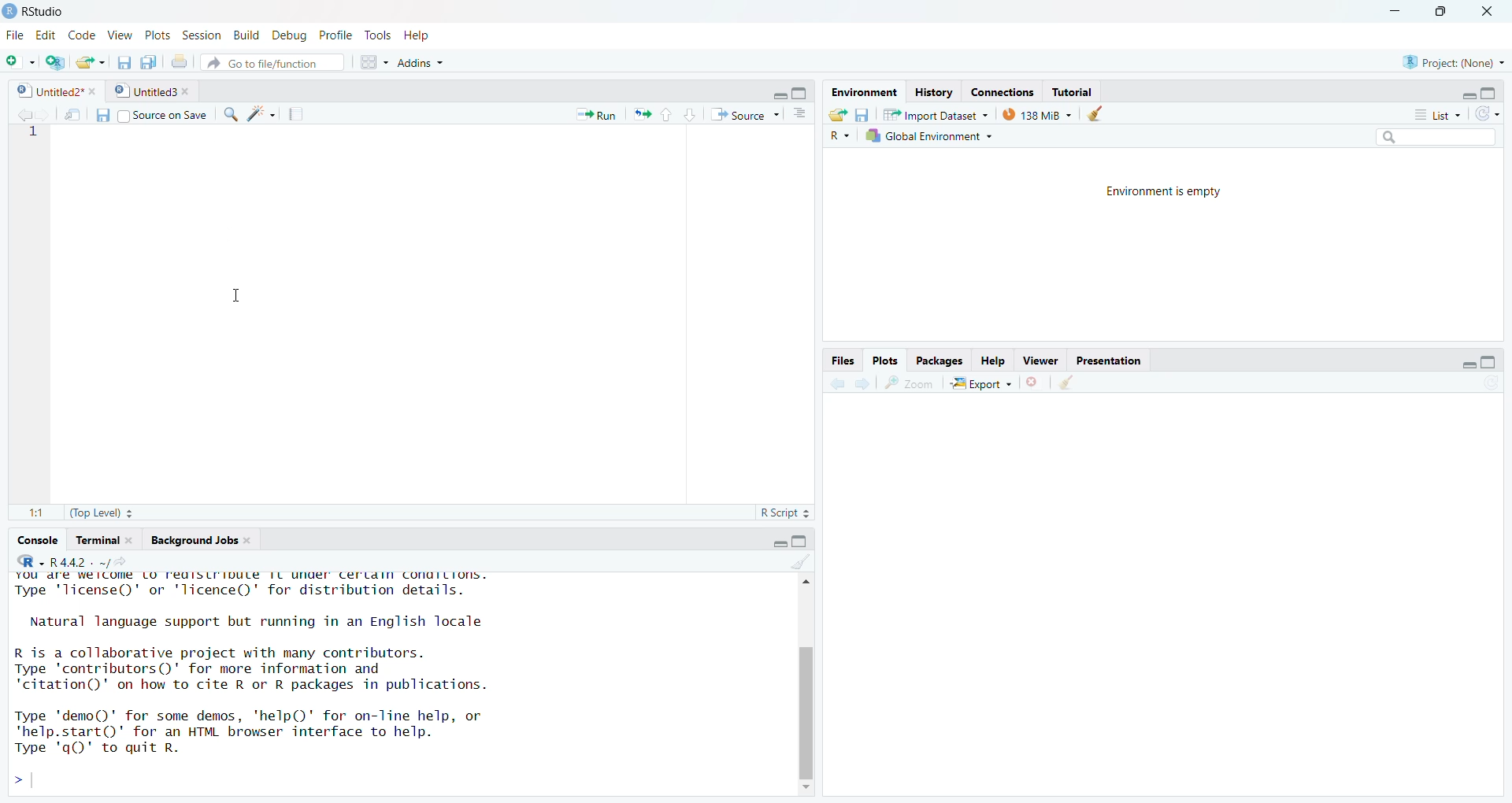 The image size is (1512, 803). What do you see at coordinates (299, 114) in the screenshot?
I see `Compile report` at bounding box center [299, 114].